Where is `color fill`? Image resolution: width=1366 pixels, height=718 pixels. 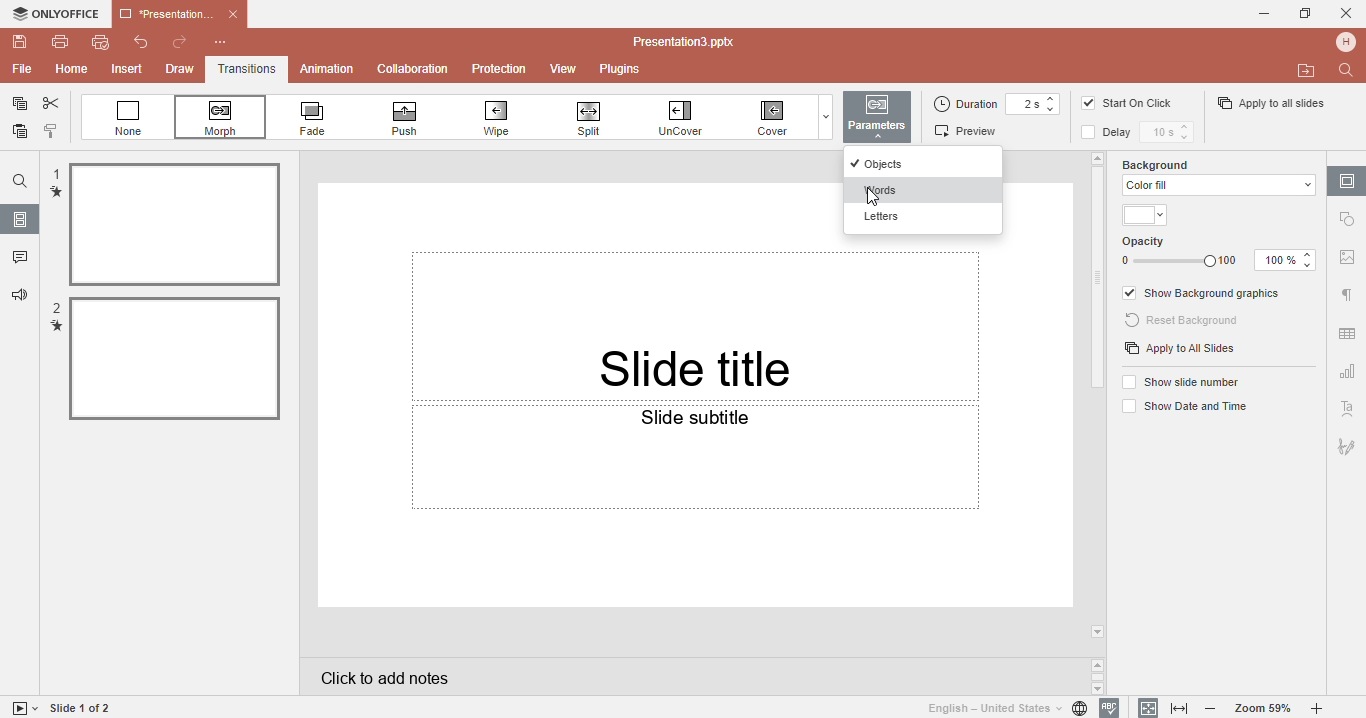
color fill is located at coordinates (1216, 185).